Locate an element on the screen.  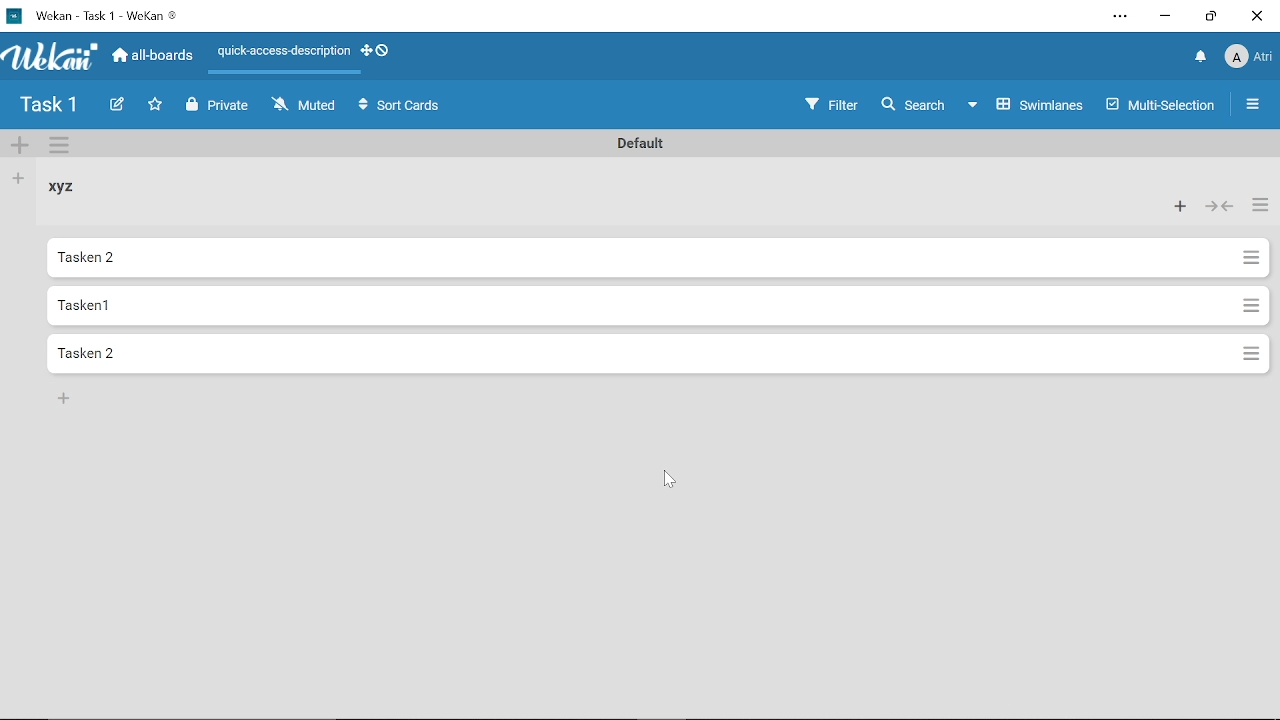
Add is located at coordinates (64, 399).